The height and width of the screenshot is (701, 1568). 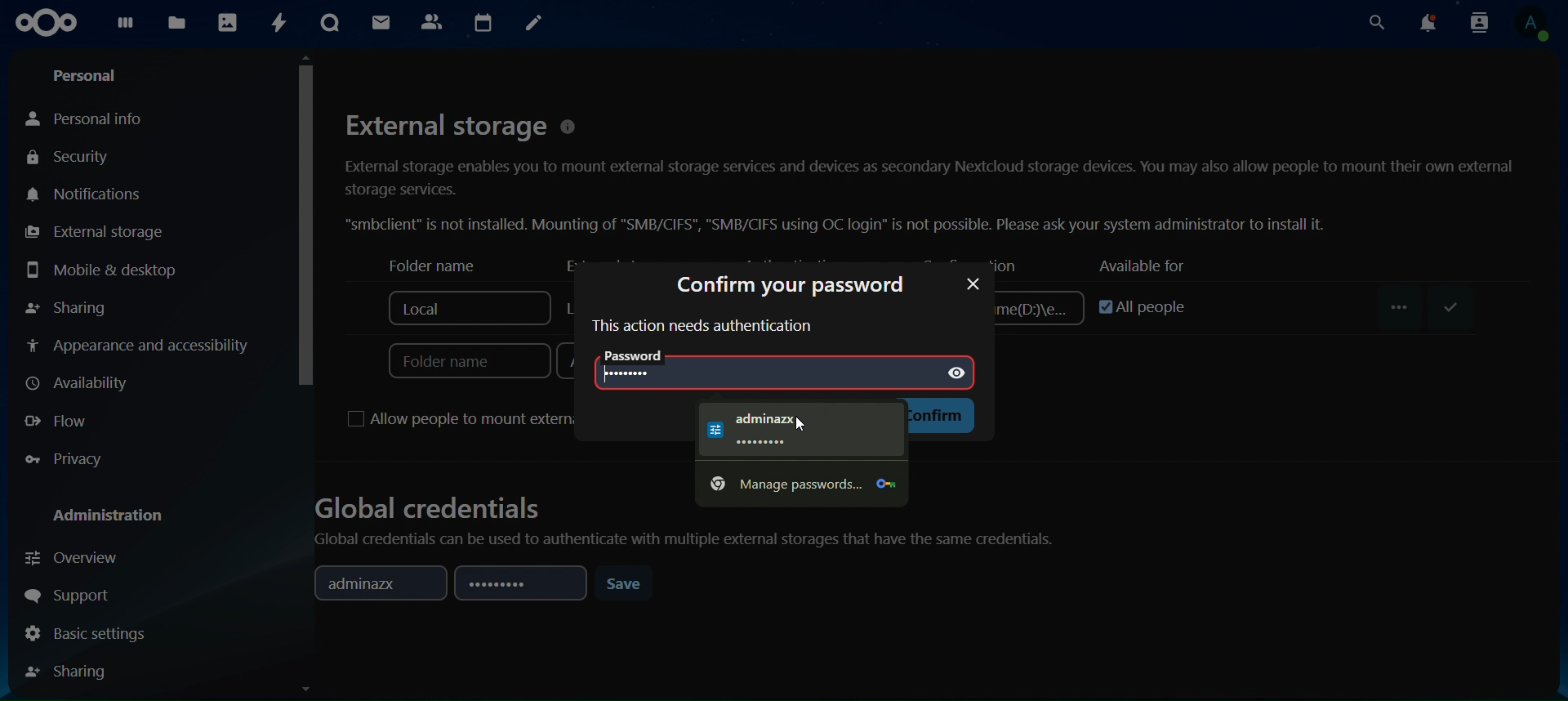 What do you see at coordinates (73, 592) in the screenshot?
I see `support` at bounding box center [73, 592].